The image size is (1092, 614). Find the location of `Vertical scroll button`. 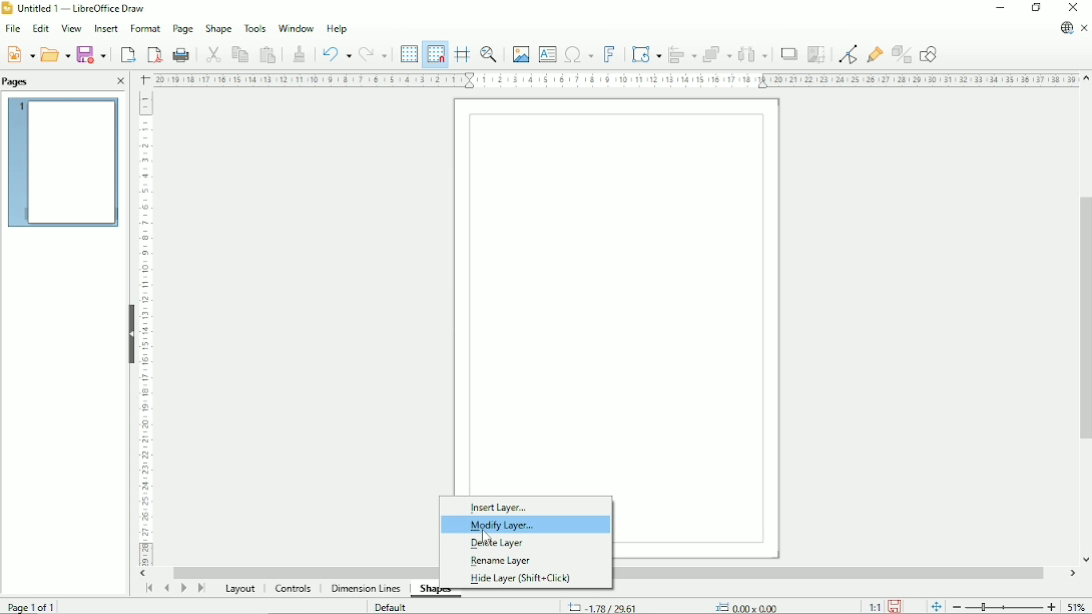

Vertical scroll button is located at coordinates (1085, 79).